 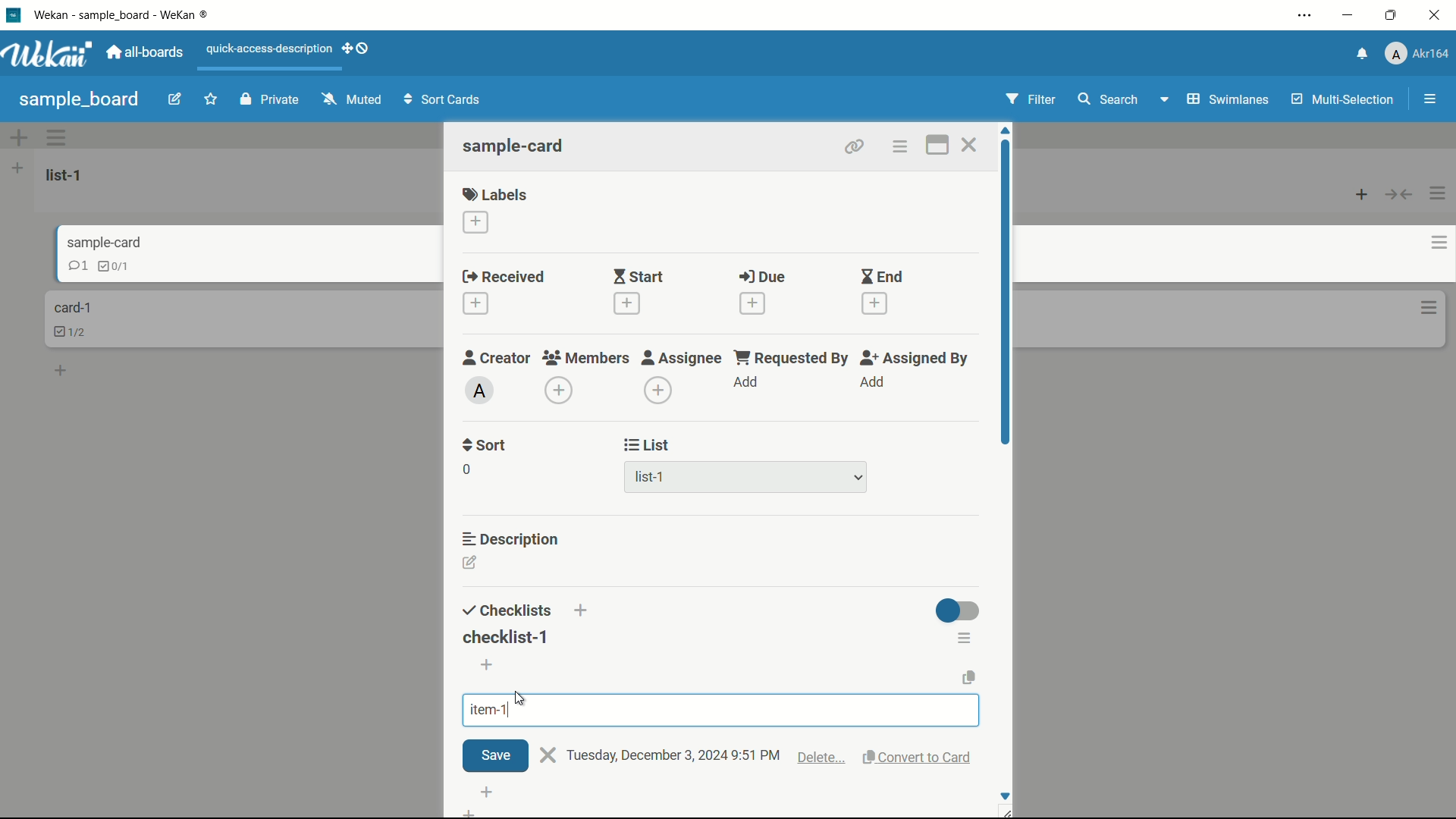 I want to click on app icon, so click(x=15, y=14).